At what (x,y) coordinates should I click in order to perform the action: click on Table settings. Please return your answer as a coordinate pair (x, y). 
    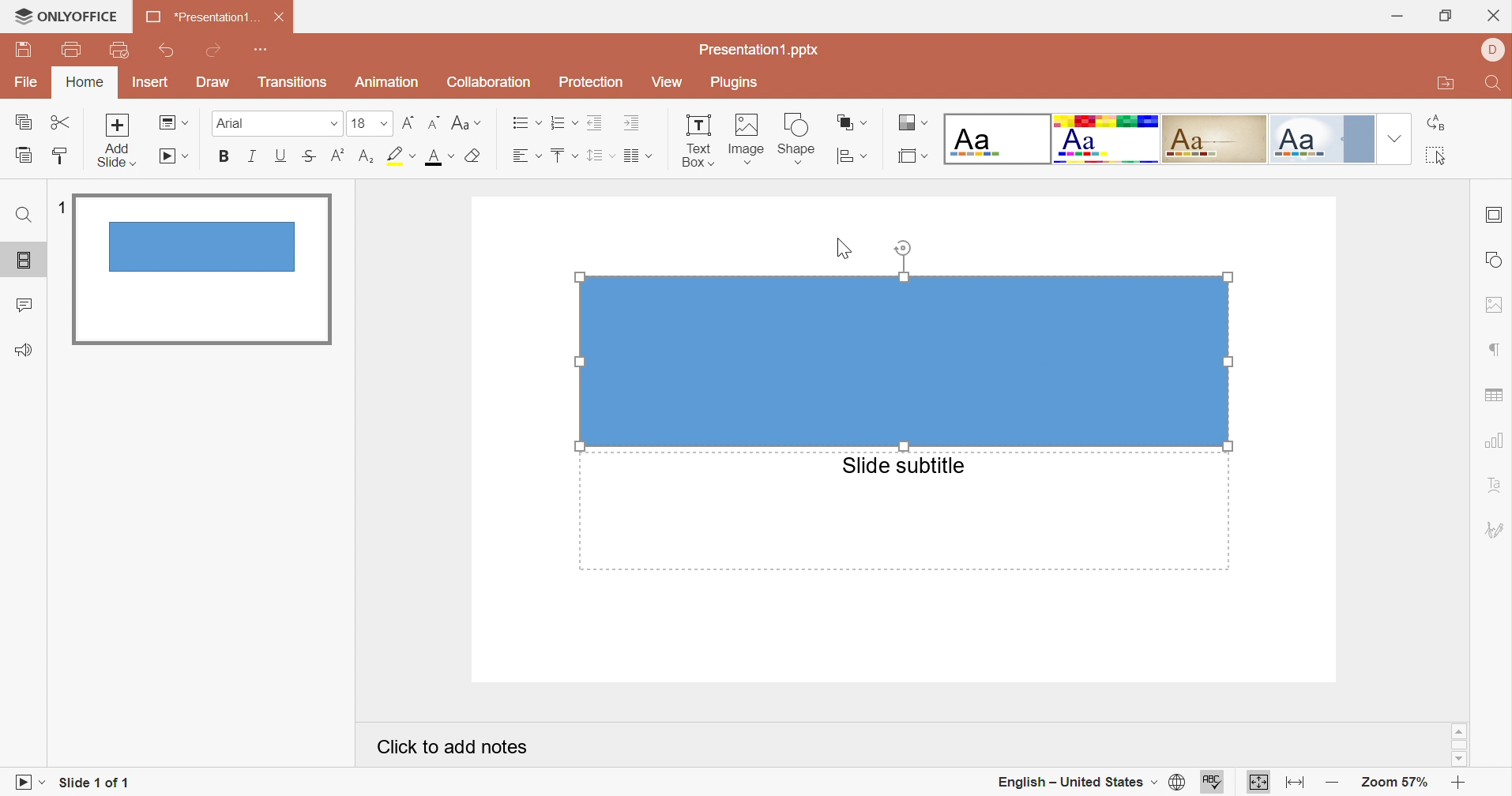
    Looking at the image, I should click on (1493, 396).